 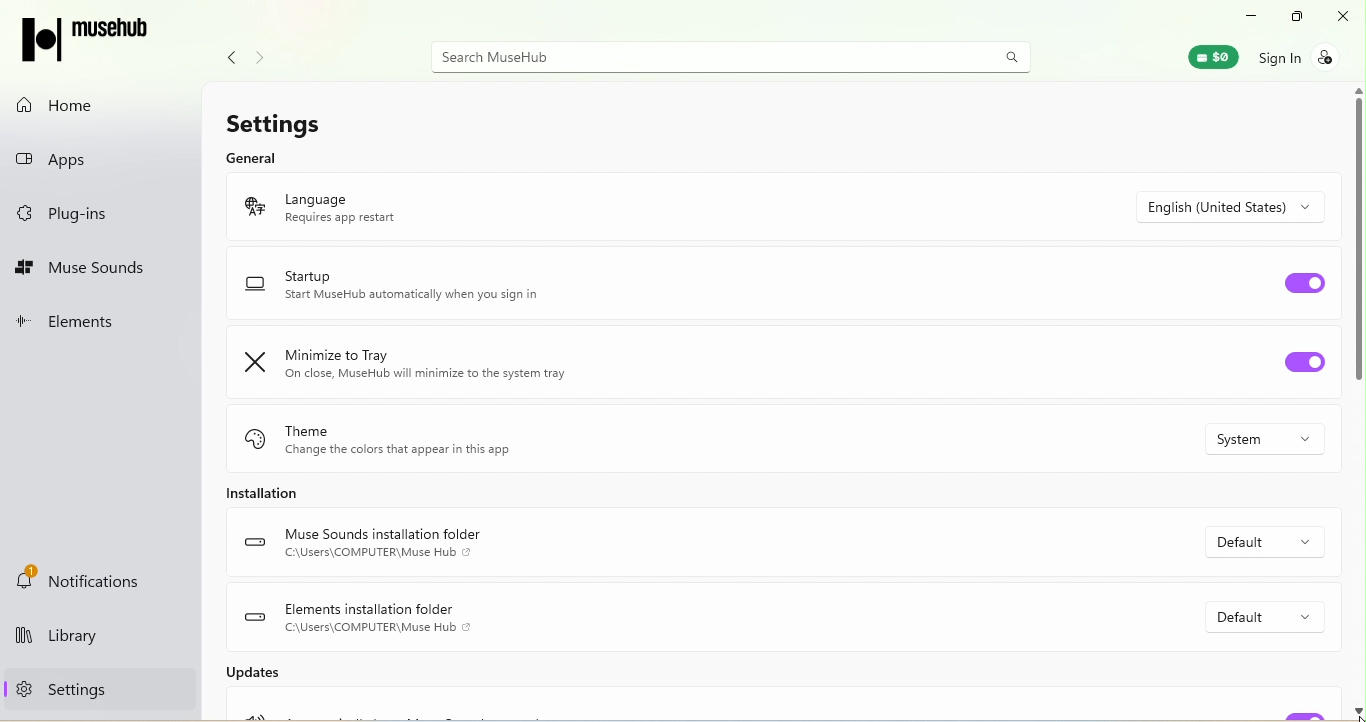 I want to click on ‘Change the colors that appear in this app, so click(x=399, y=451).